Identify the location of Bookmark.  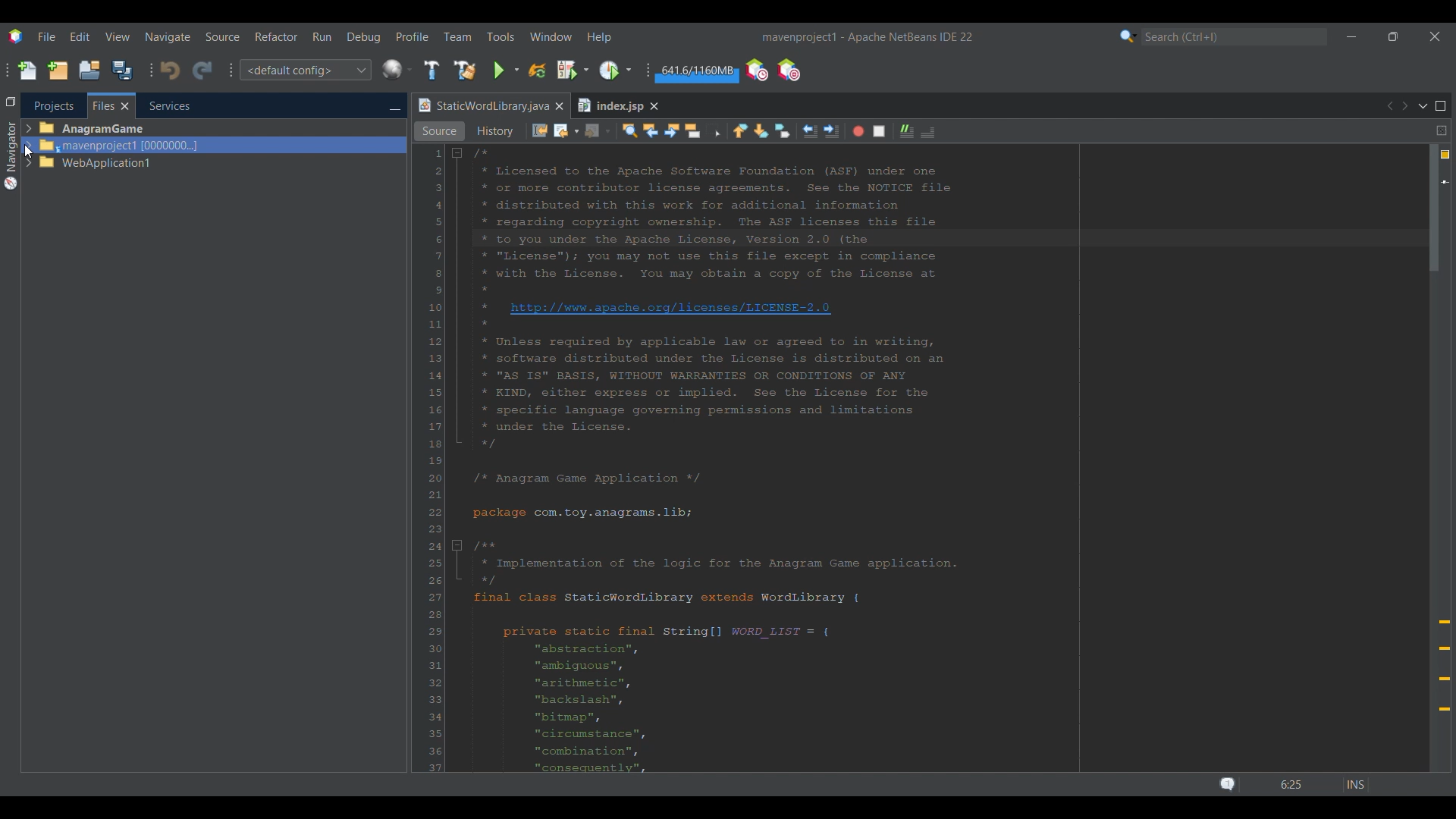
(1445, 182).